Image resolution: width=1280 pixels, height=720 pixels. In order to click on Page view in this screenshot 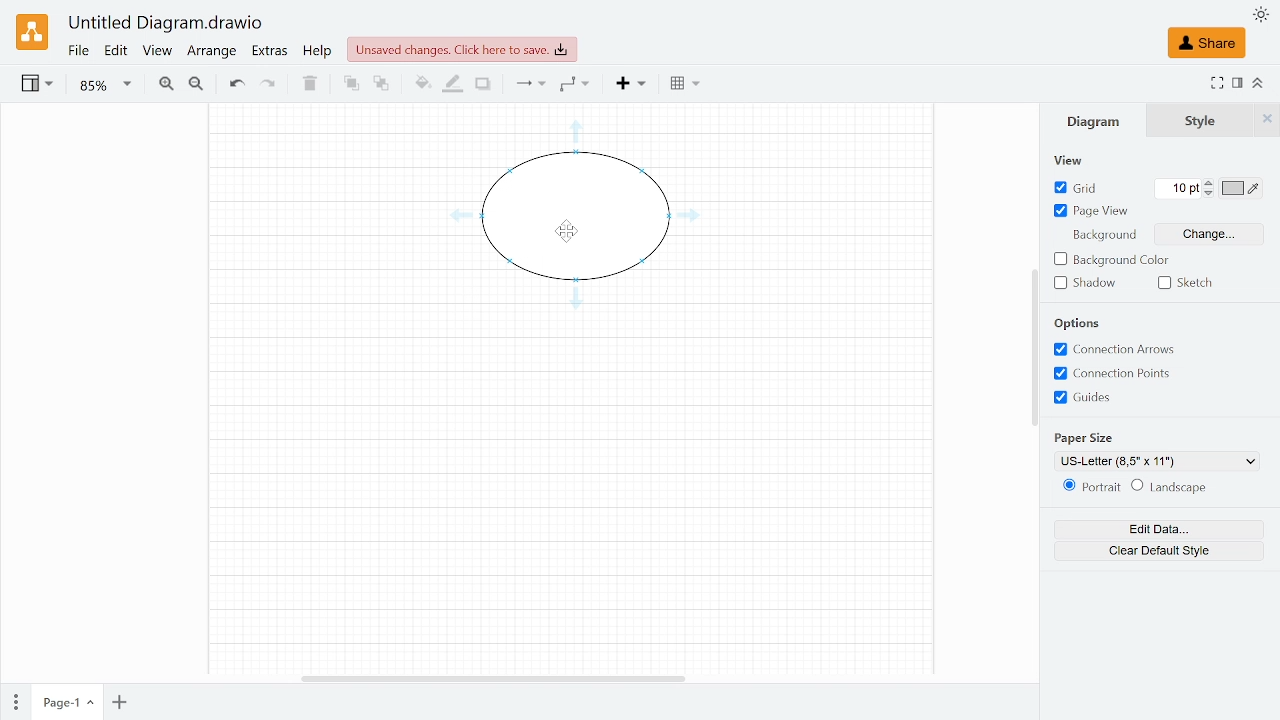, I will do `click(1090, 212)`.